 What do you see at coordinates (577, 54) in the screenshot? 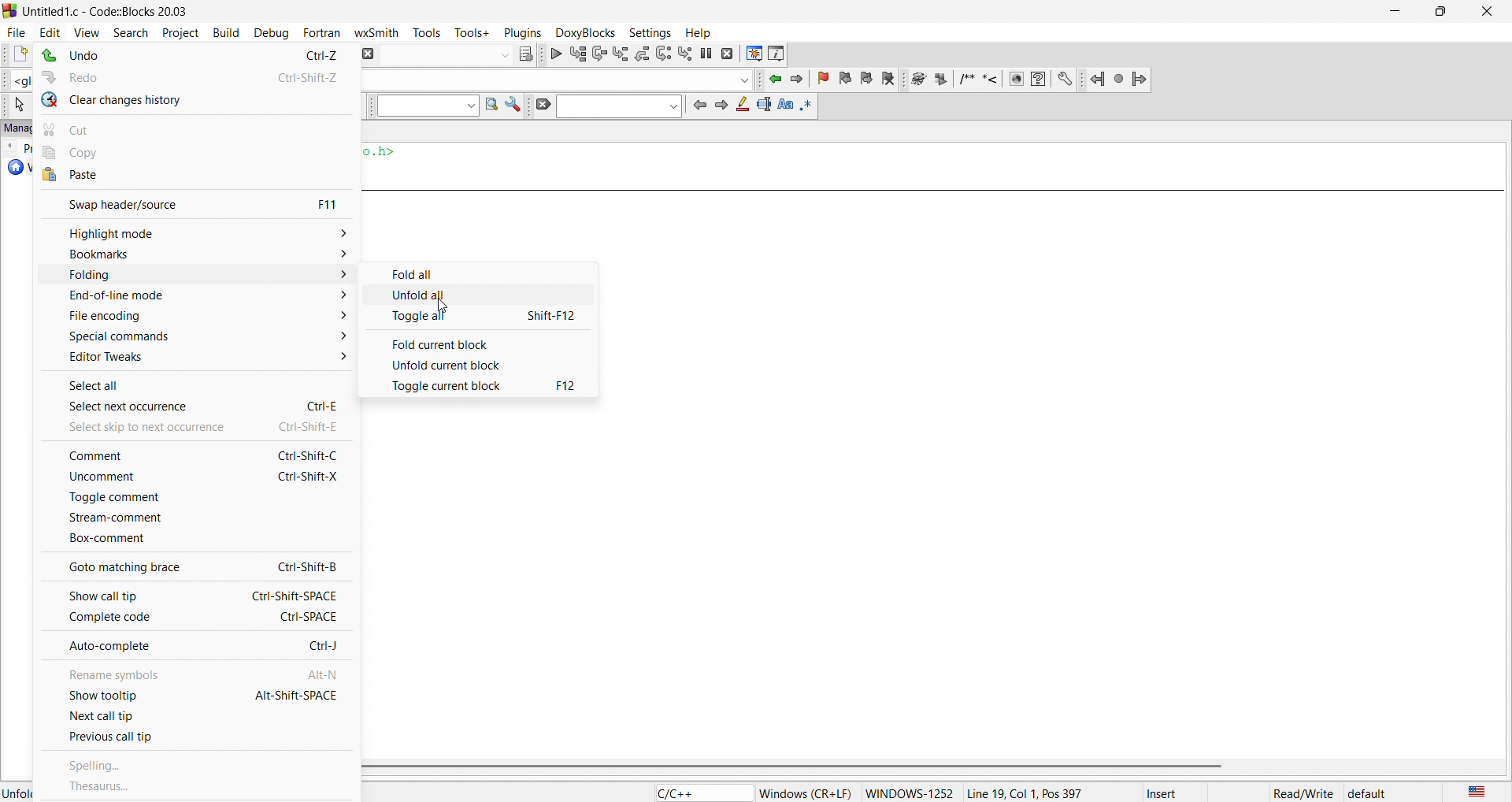
I see `run to cursor` at bounding box center [577, 54].